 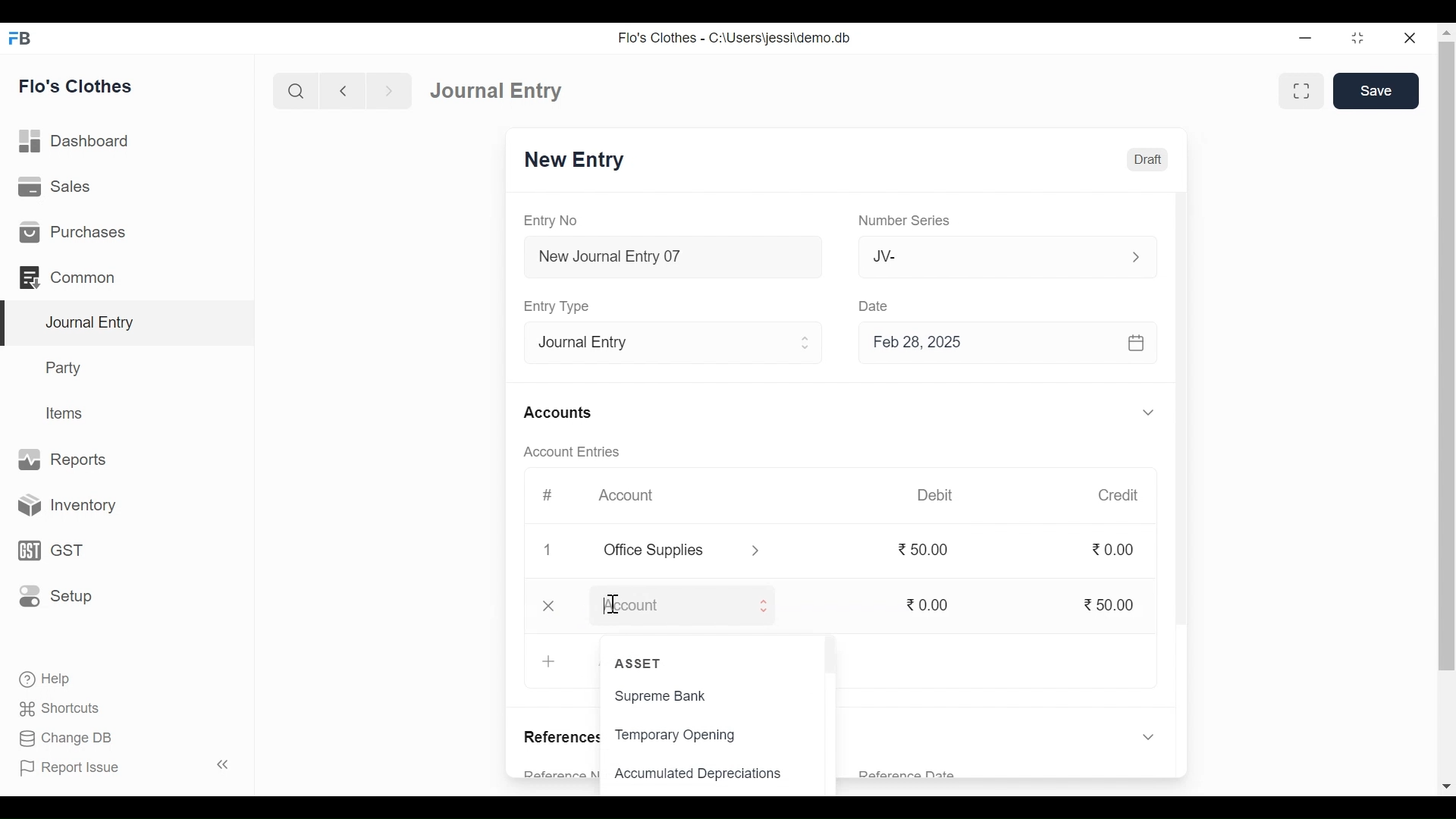 What do you see at coordinates (563, 306) in the screenshot?
I see `Entry Type` at bounding box center [563, 306].